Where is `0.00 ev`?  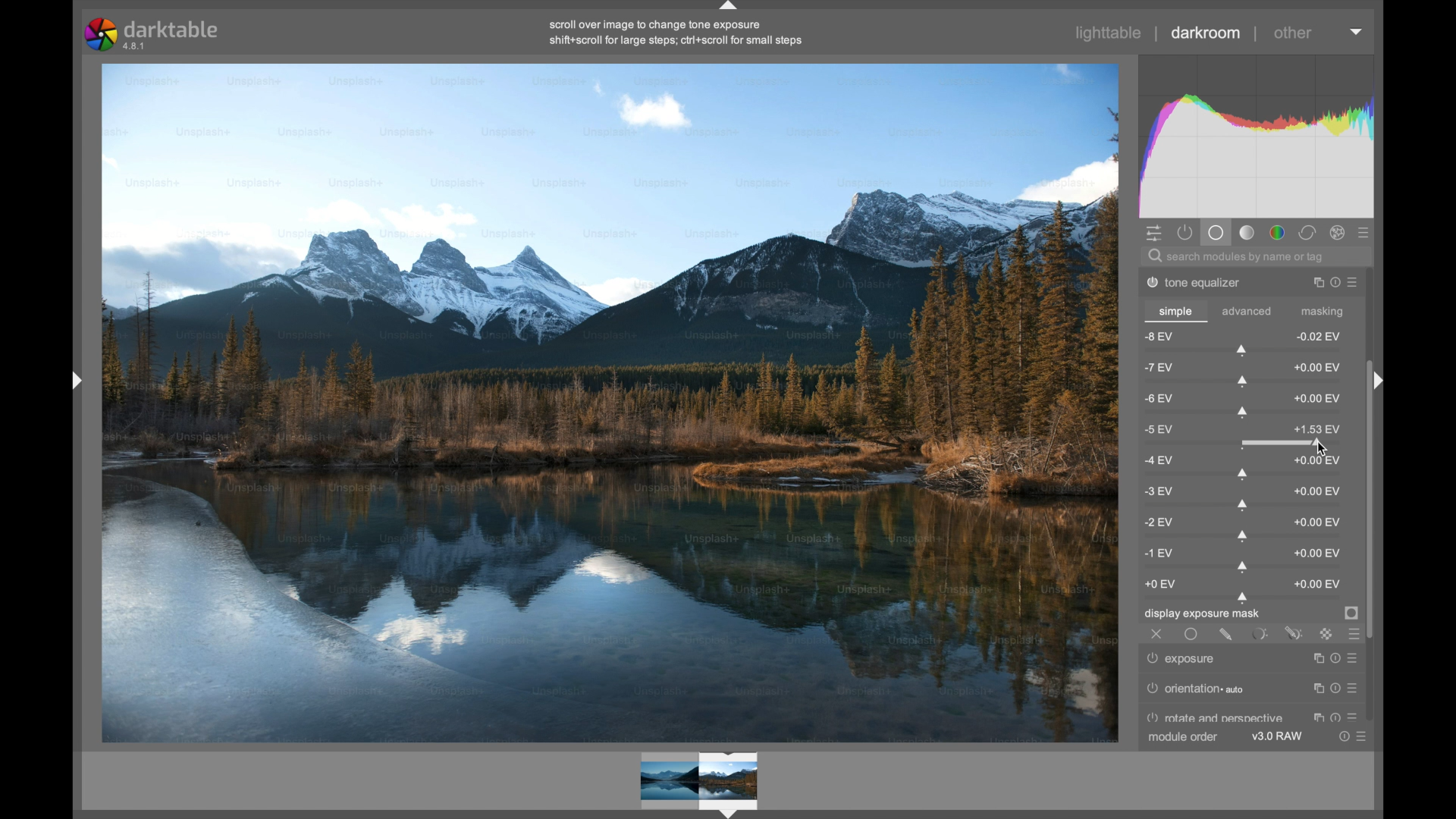
0.00 ev is located at coordinates (1317, 462).